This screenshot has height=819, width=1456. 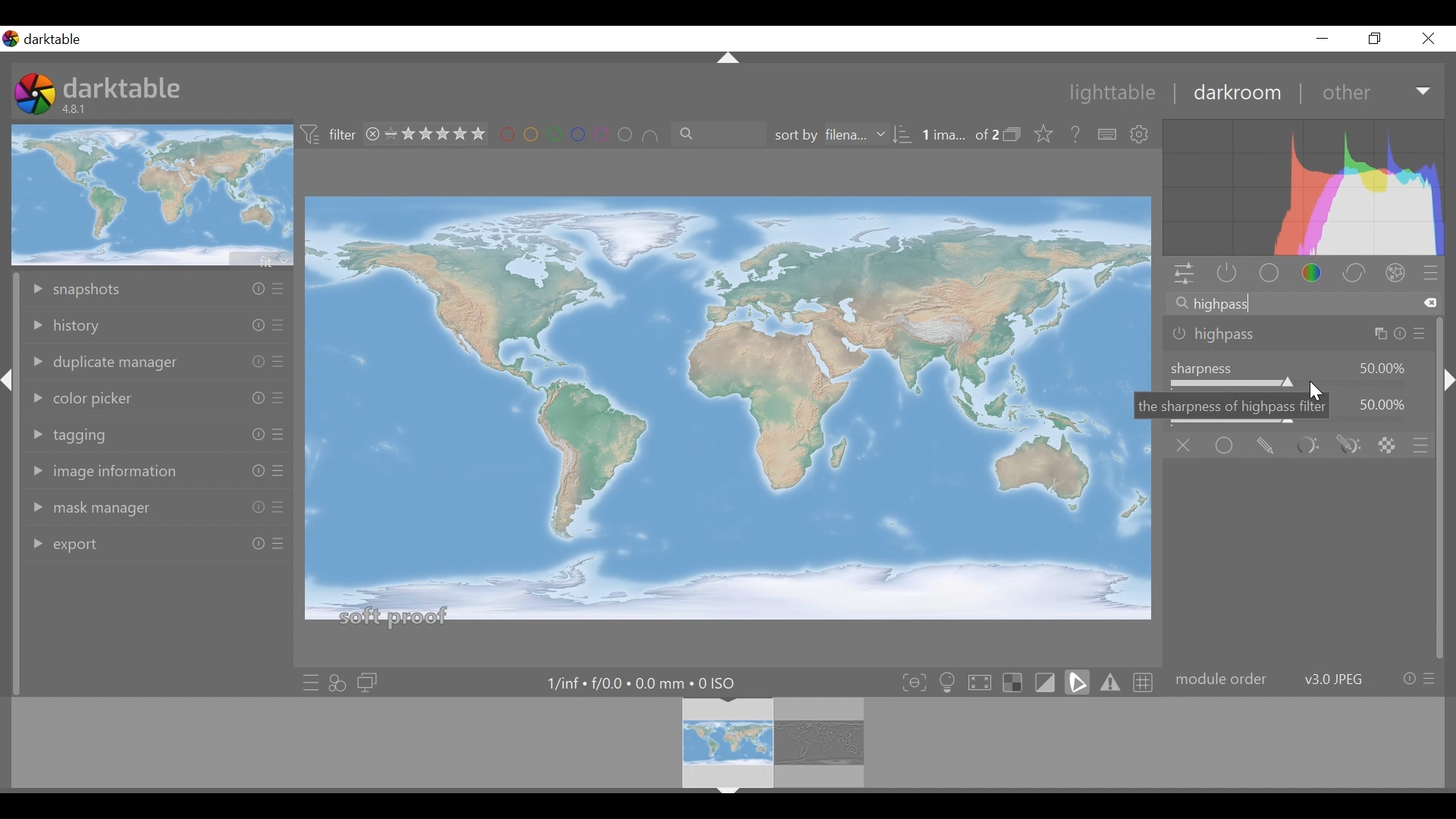 What do you see at coordinates (156, 395) in the screenshot?
I see `color picker` at bounding box center [156, 395].